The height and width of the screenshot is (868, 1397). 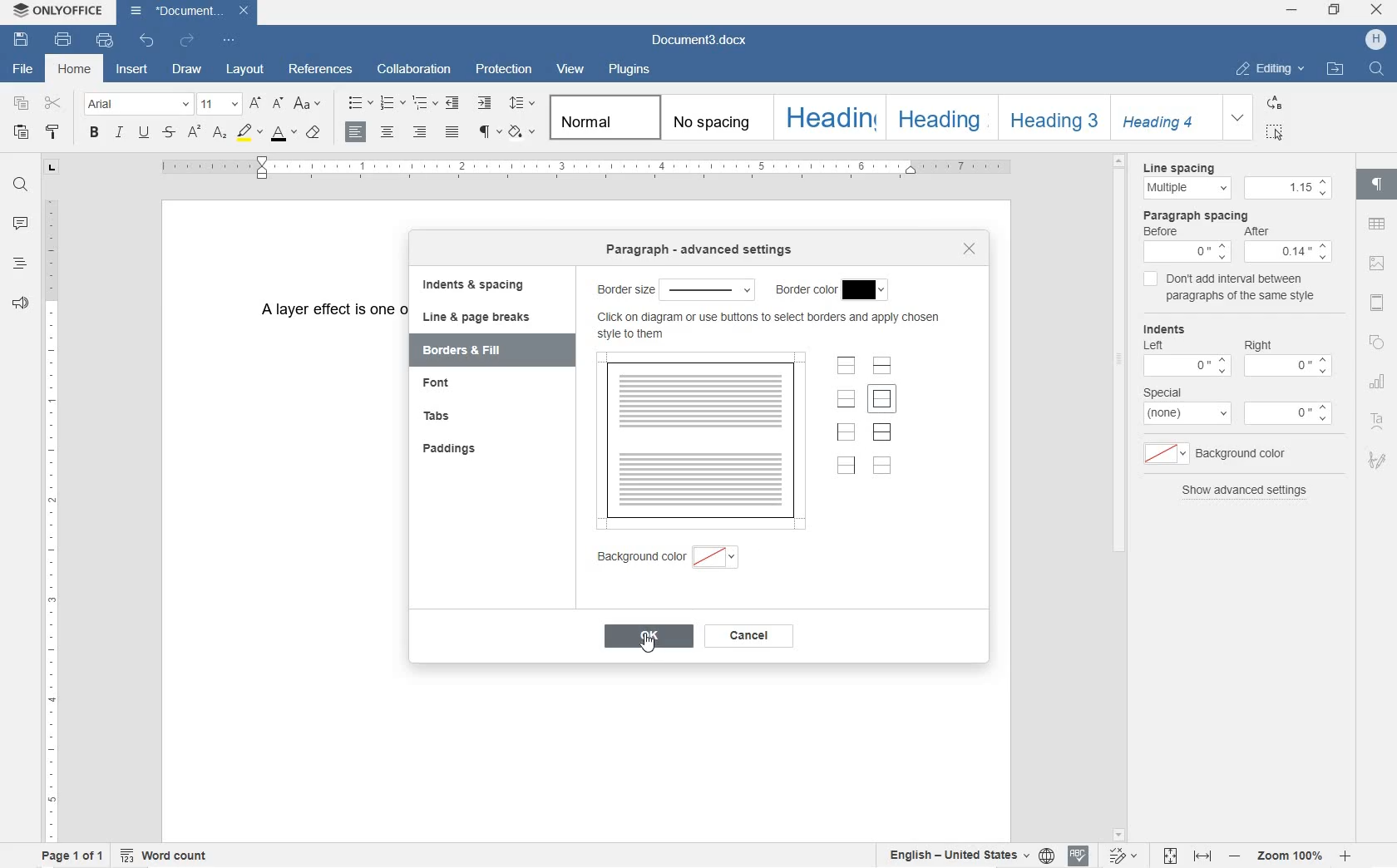 What do you see at coordinates (1289, 244) in the screenshot?
I see `After` at bounding box center [1289, 244].